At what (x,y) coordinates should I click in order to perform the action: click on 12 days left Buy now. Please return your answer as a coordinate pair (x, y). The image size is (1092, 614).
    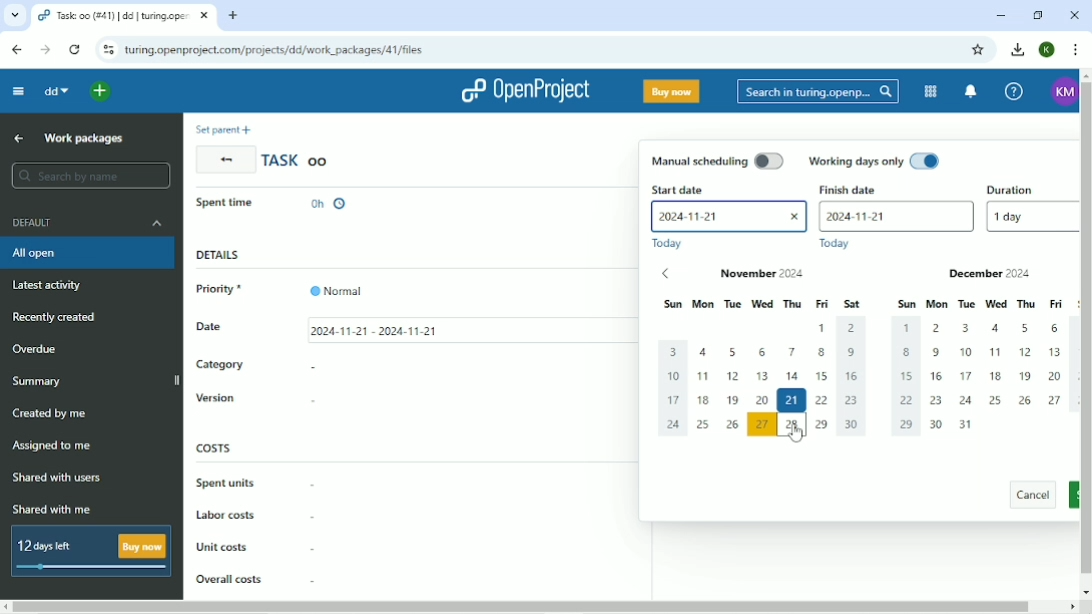
    Looking at the image, I should click on (87, 551).